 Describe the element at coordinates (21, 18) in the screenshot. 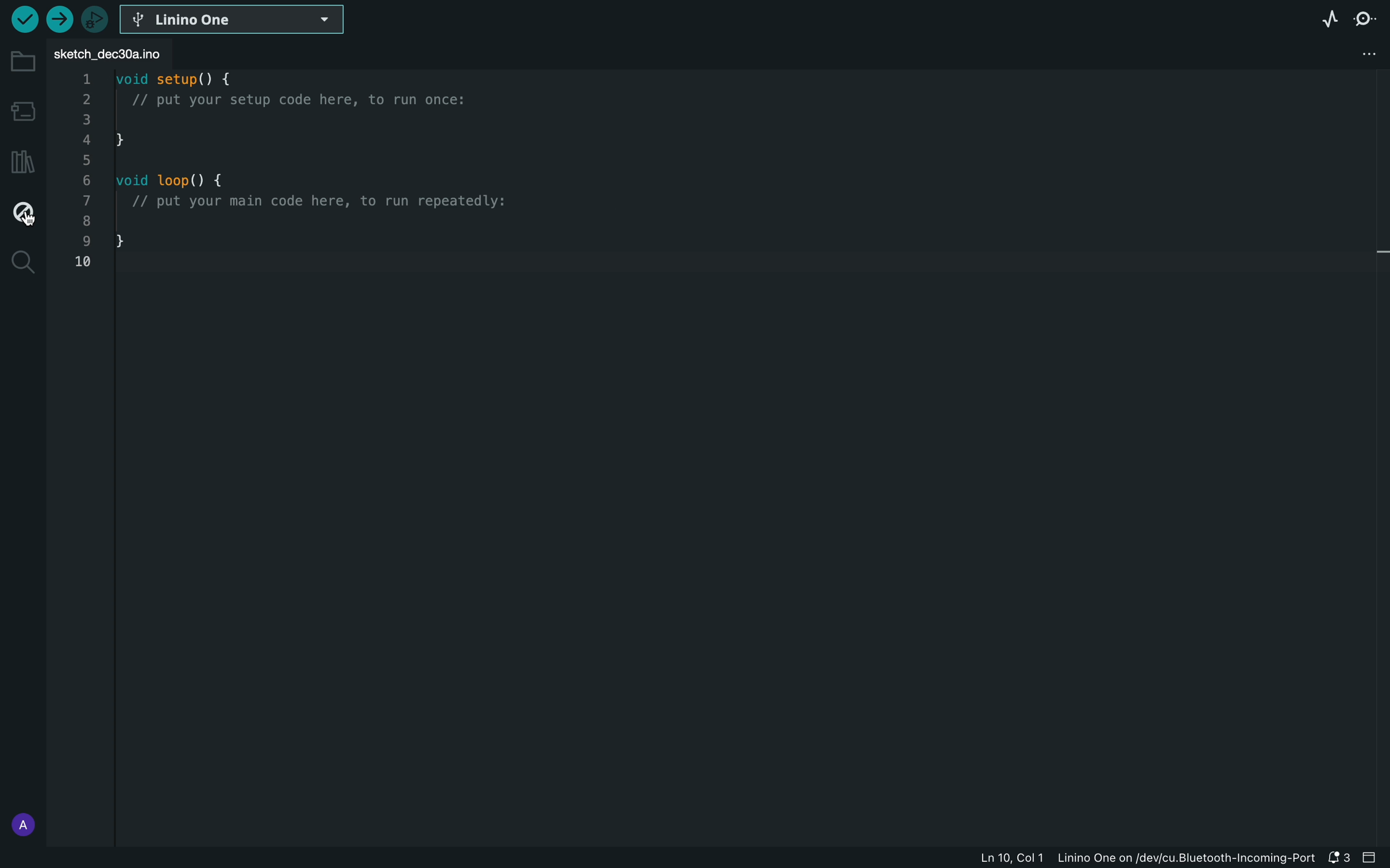

I see `verify` at that location.